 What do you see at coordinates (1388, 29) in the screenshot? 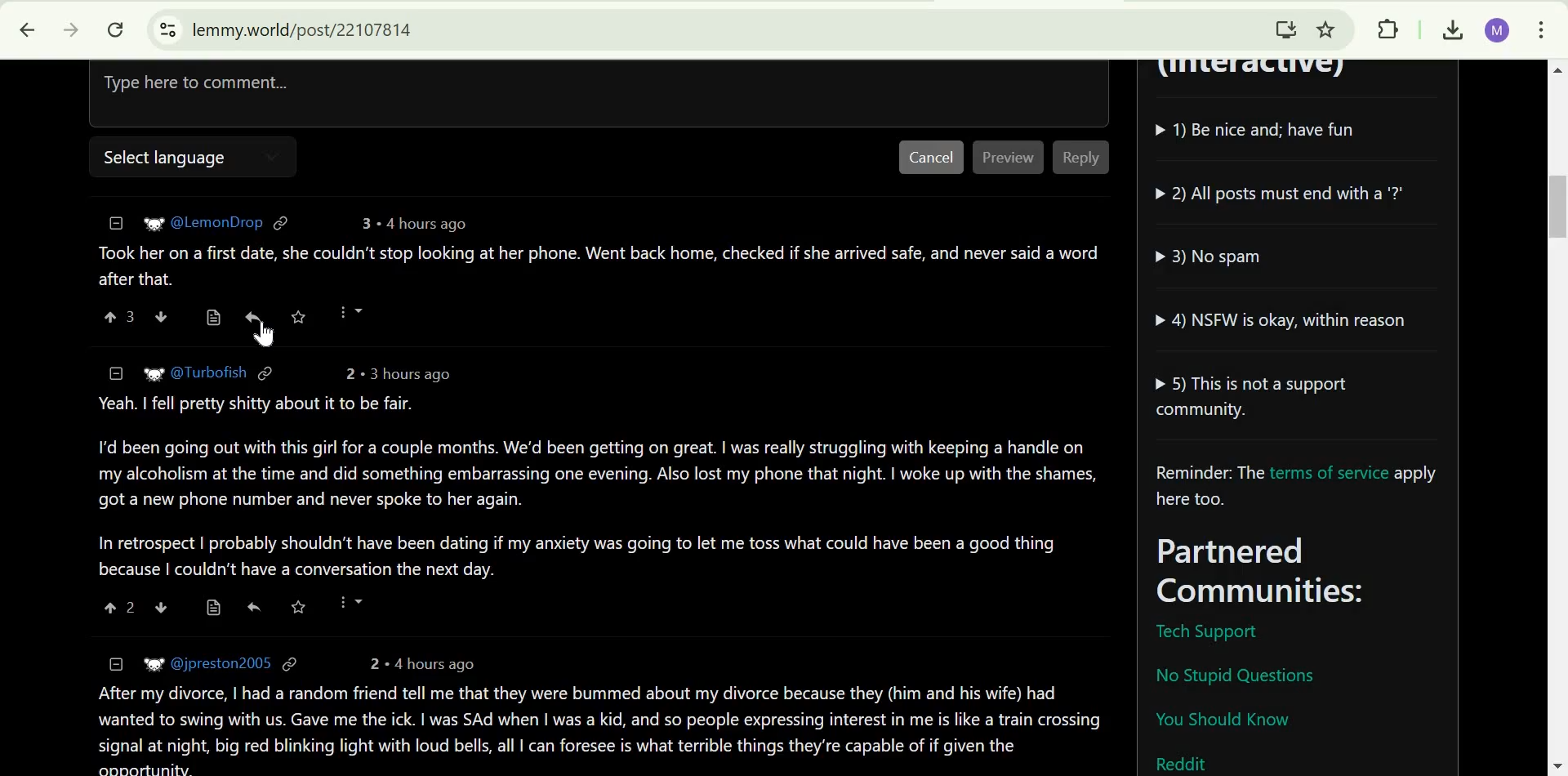
I see `Extensions` at bounding box center [1388, 29].